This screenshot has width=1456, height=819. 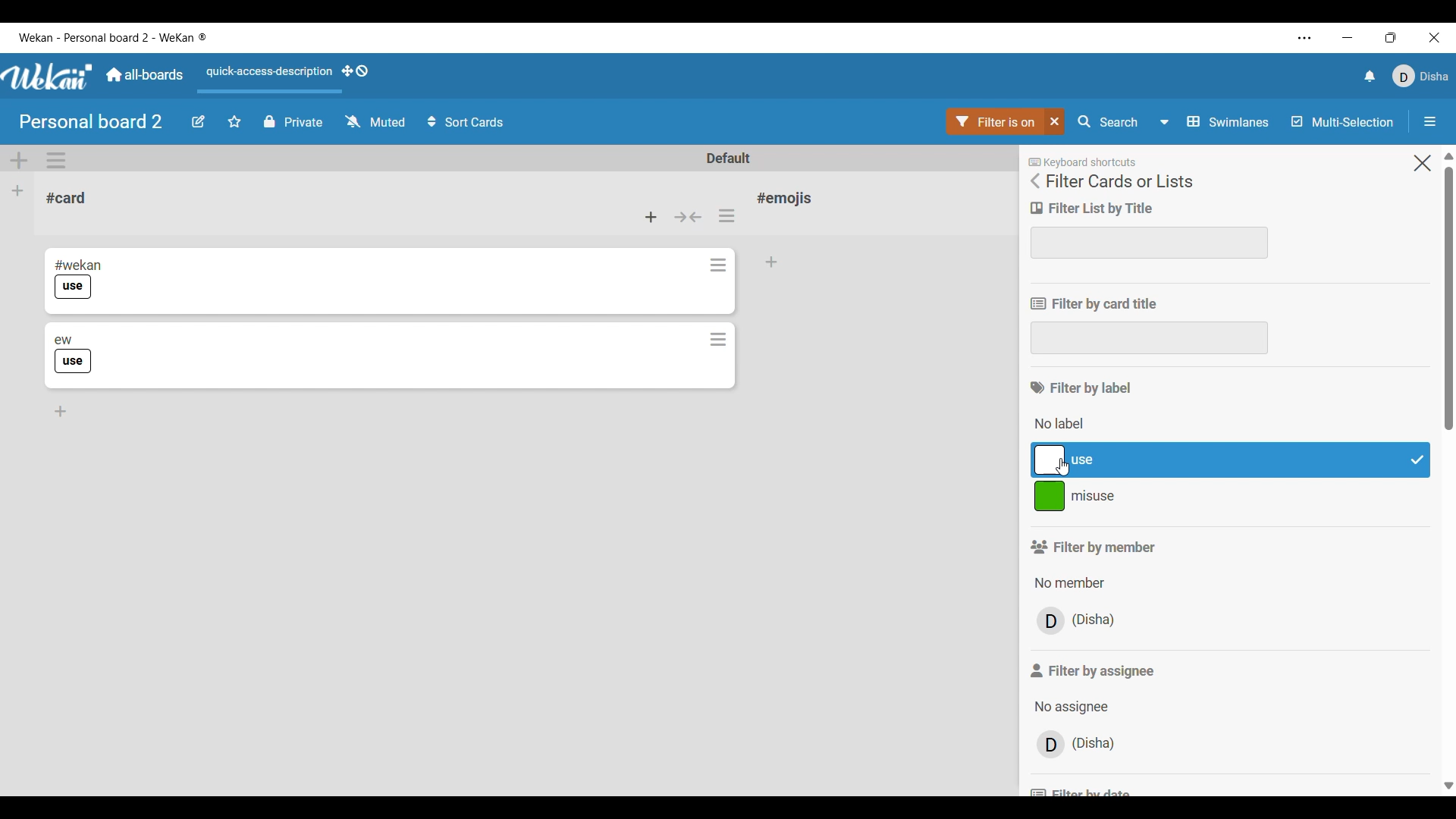 I want to click on Go to common dashboard, so click(x=145, y=74).